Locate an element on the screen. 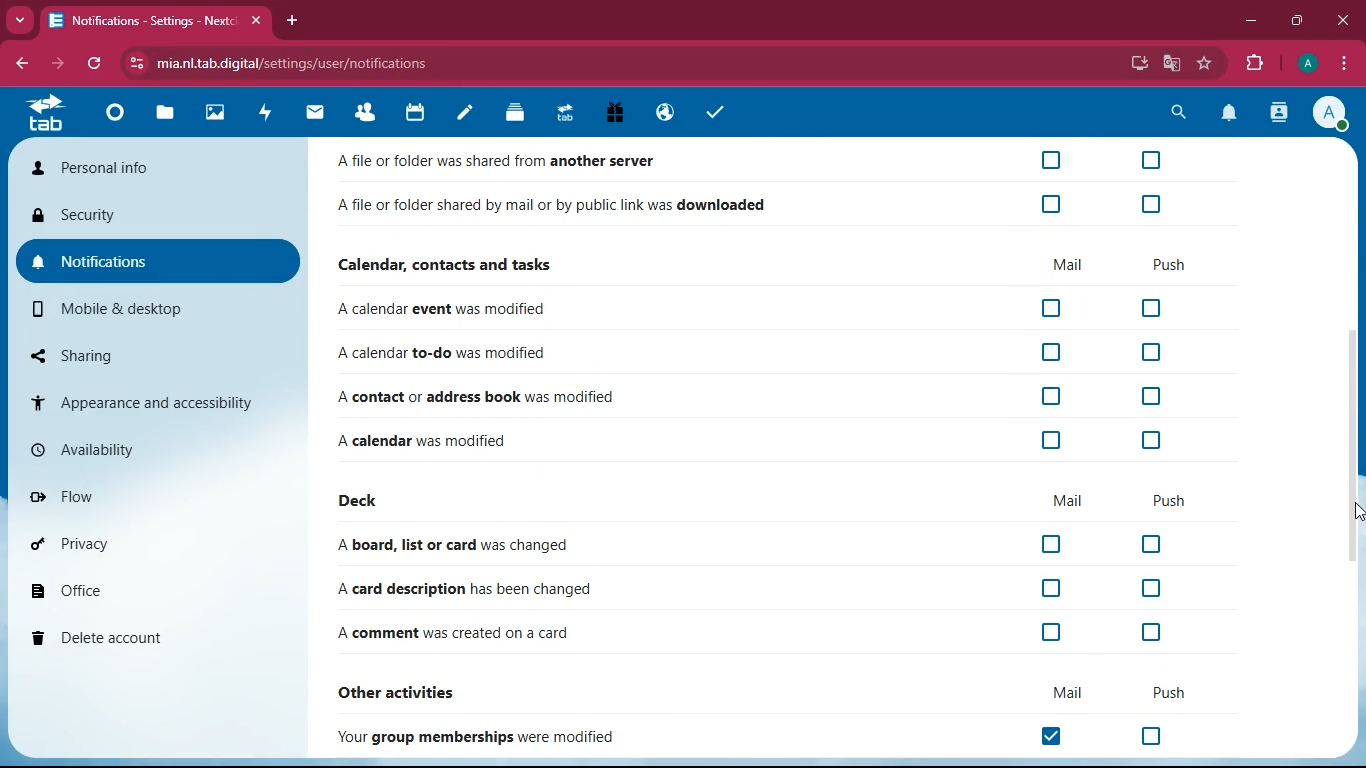 This screenshot has width=1366, height=768. maximize is located at coordinates (1296, 21).